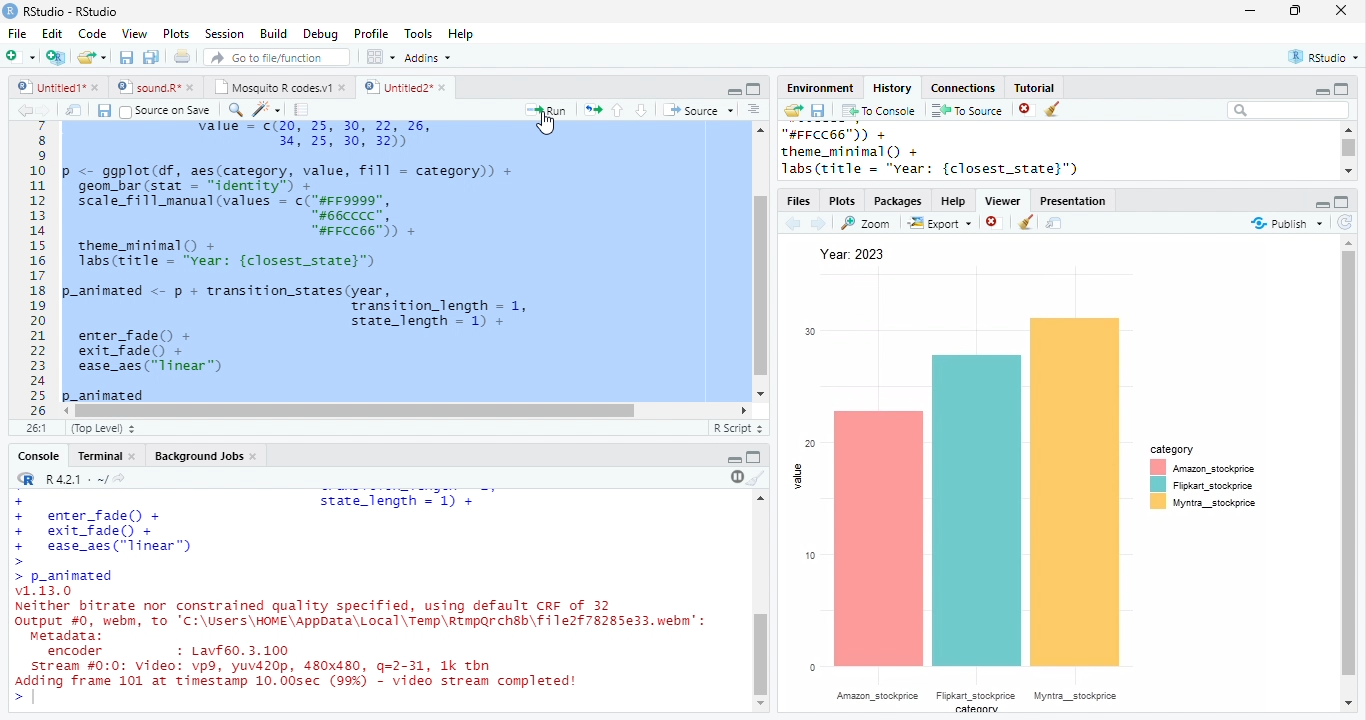 The width and height of the screenshot is (1366, 720). I want to click on Amazon stockprice, so click(1207, 466).